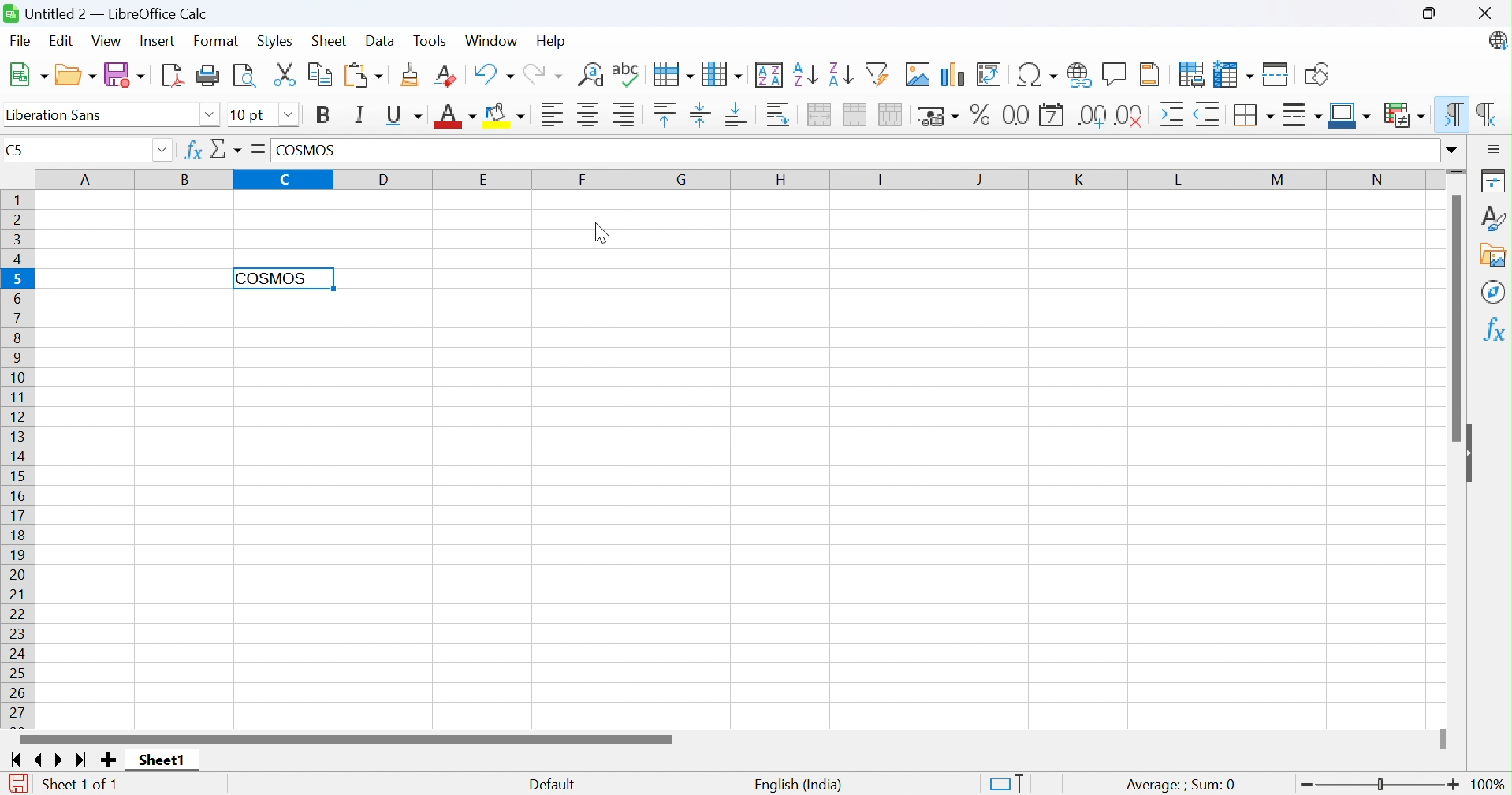  What do you see at coordinates (107, 14) in the screenshot?
I see `Untitled 2 - LibreOffice Calc` at bounding box center [107, 14].